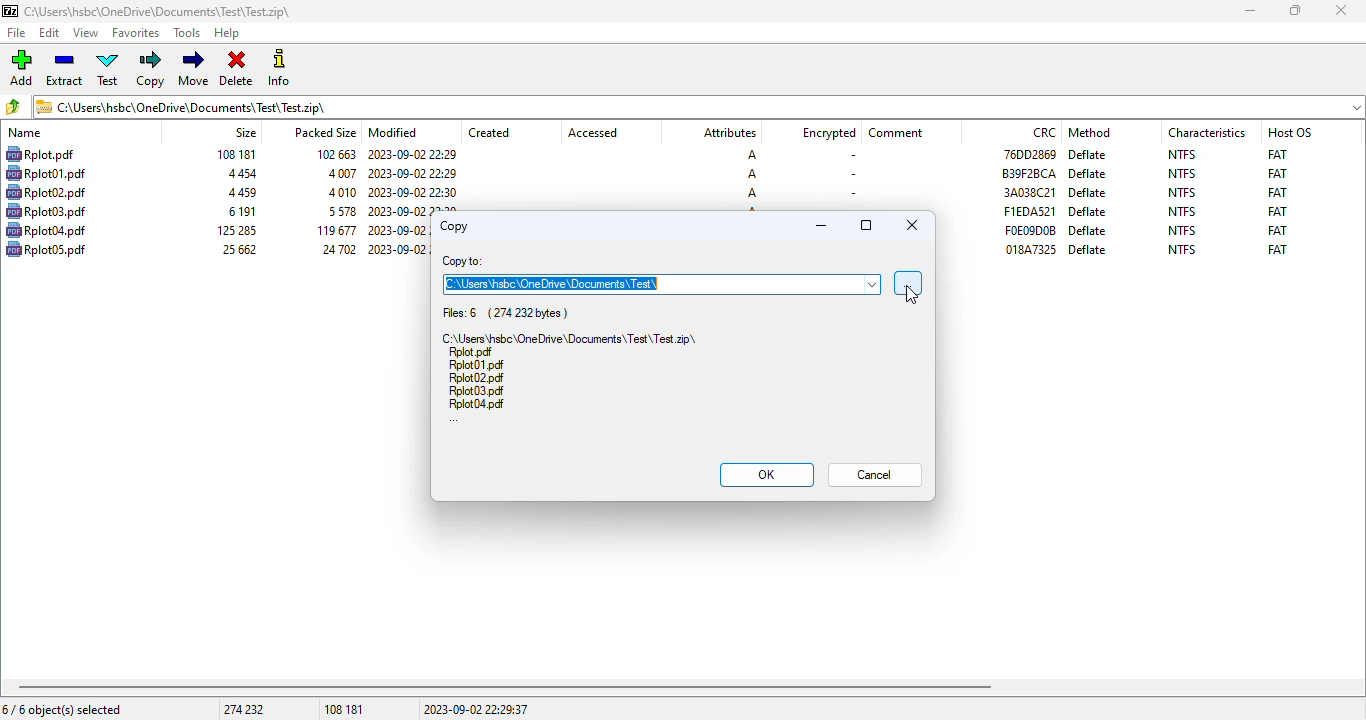 This screenshot has height=720, width=1366. I want to click on file, so click(477, 391).